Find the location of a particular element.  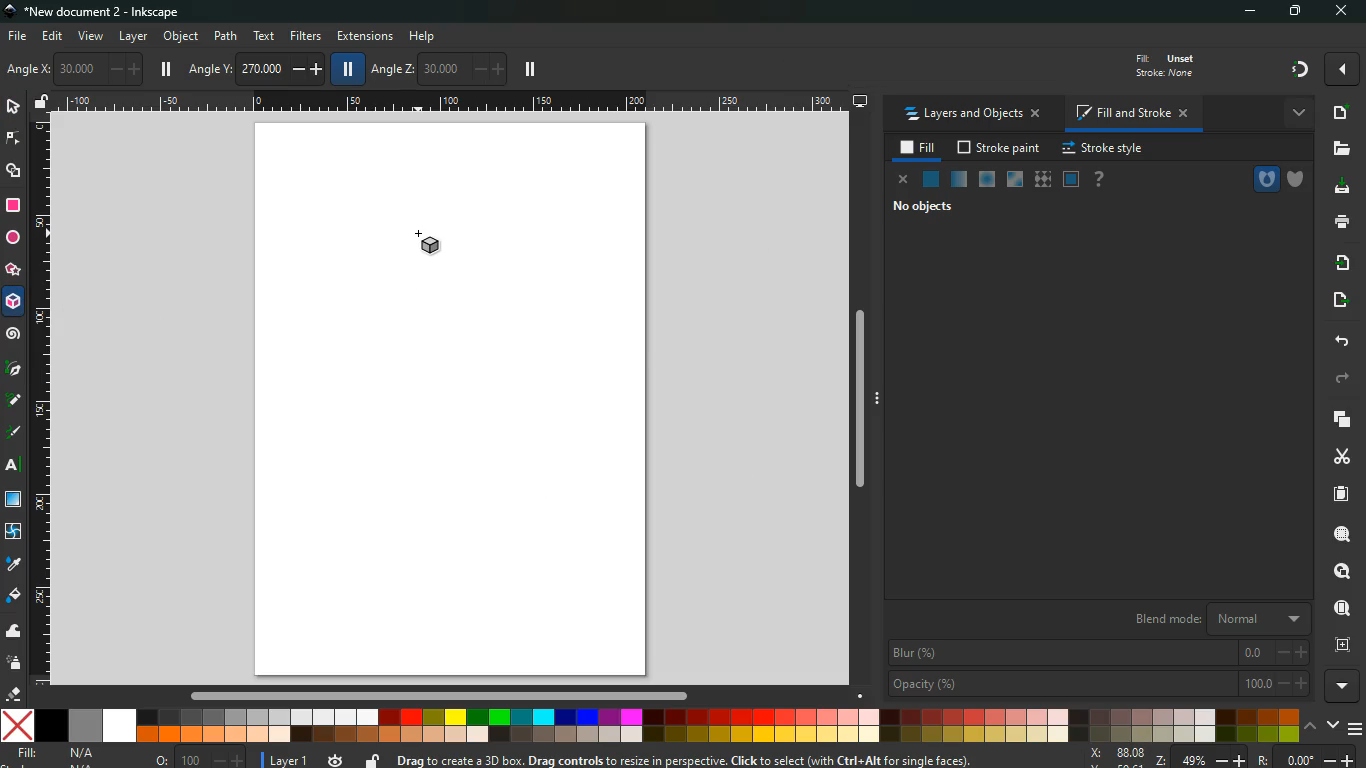

pause is located at coordinates (166, 69).